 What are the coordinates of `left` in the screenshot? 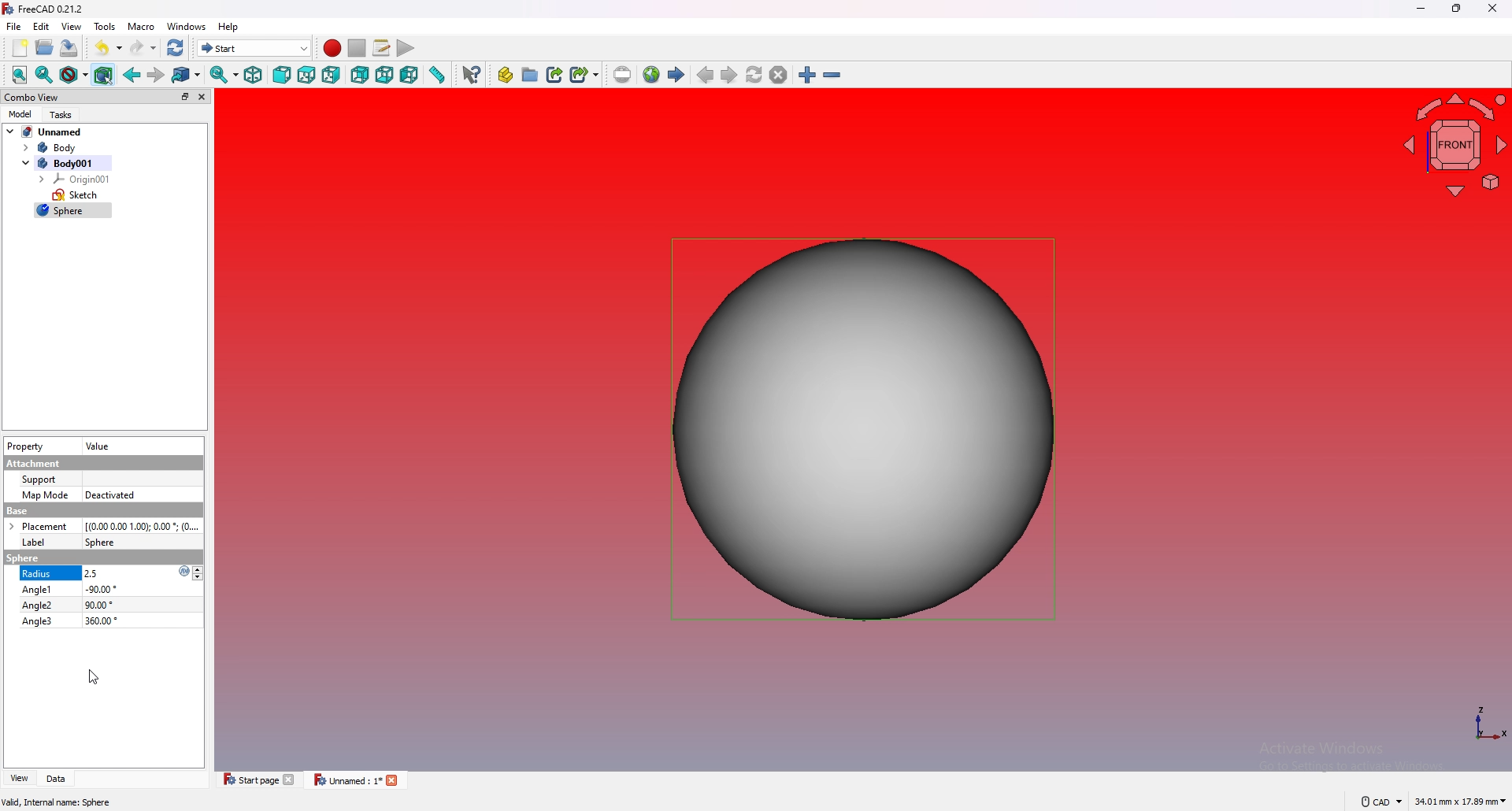 It's located at (410, 75).